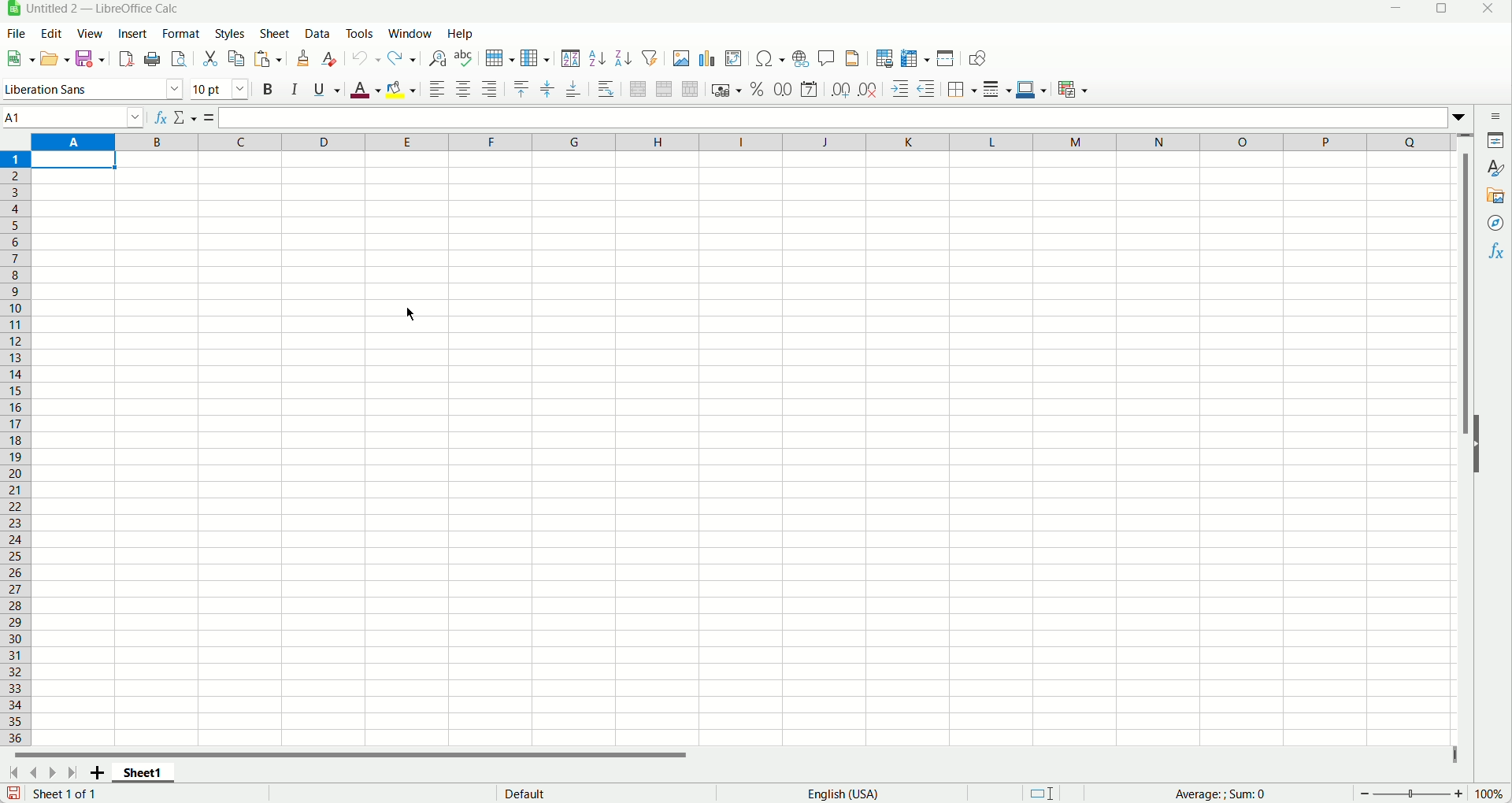  Describe the element at coordinates (268, 91) in the screenshot. I see `Bold` at that location.